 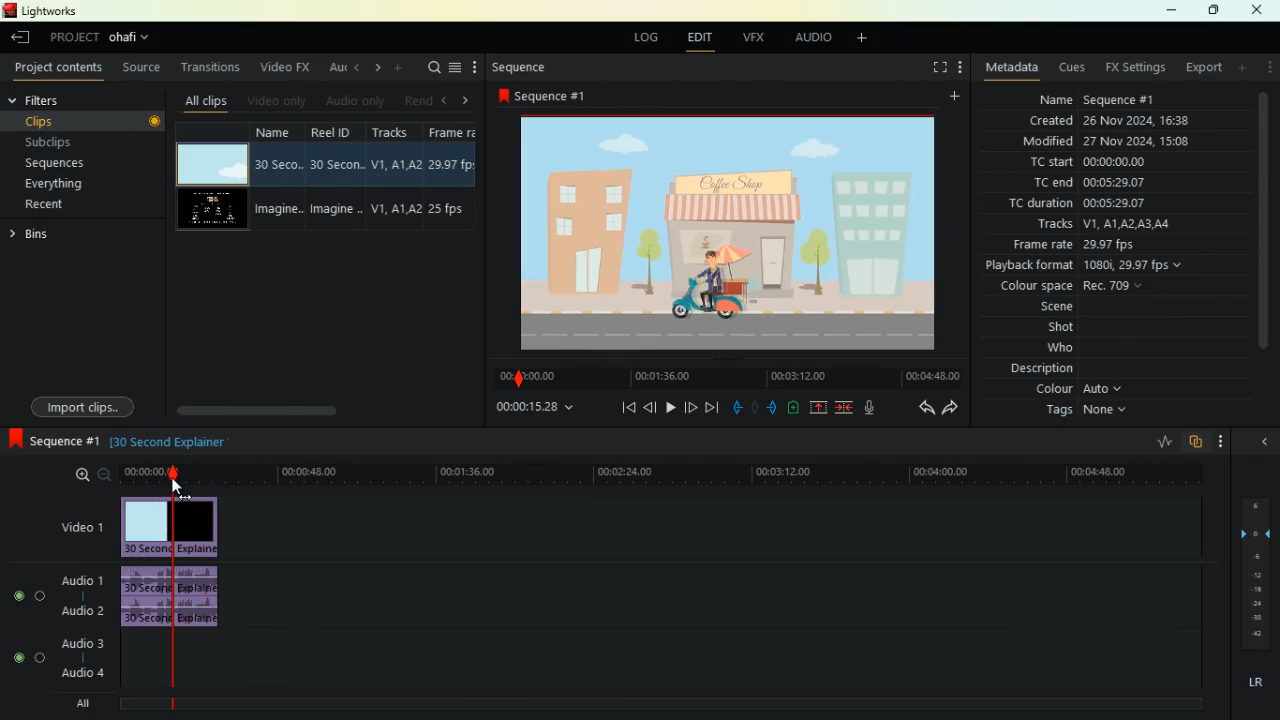 What do you see at coordinates (954, 411) in the screenshot?
I see `forward` at bounding box center [954, 411].